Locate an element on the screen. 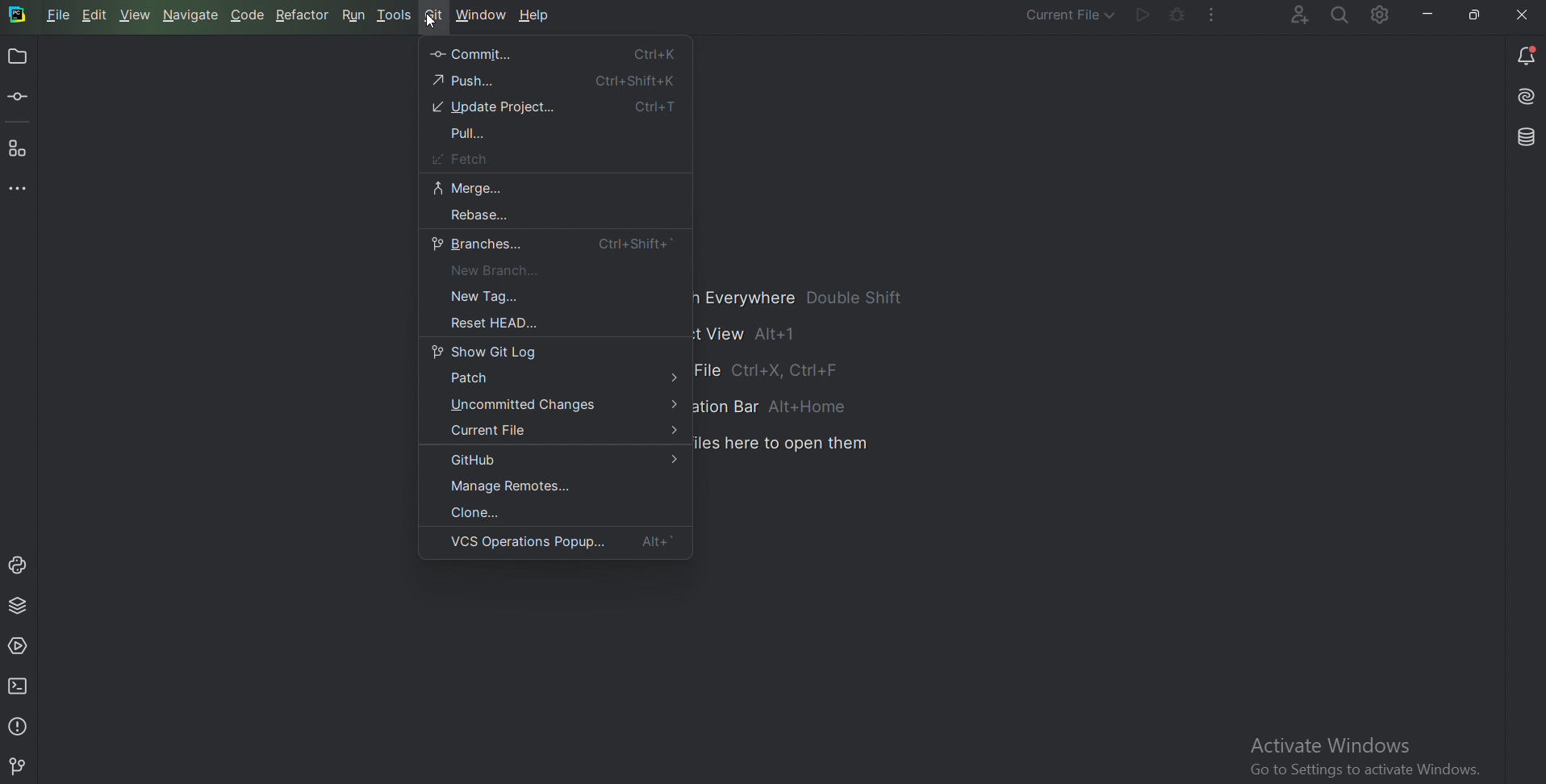 Image resolution: width=1546 pixels, height=784 pixels. Commit is located at coordinates (555, 54).